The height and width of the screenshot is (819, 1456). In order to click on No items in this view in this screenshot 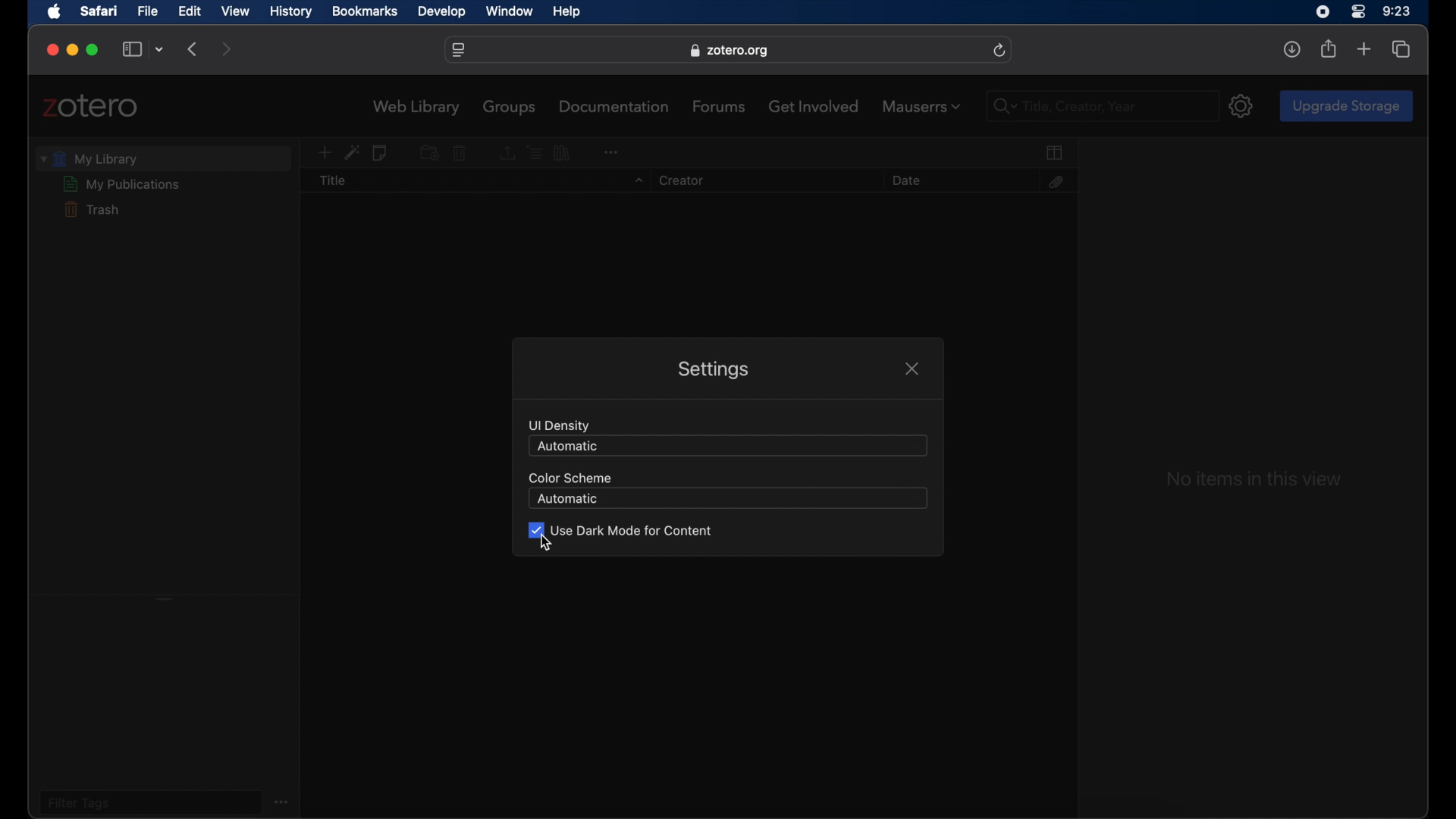, I will do `click(1253, 479)`.